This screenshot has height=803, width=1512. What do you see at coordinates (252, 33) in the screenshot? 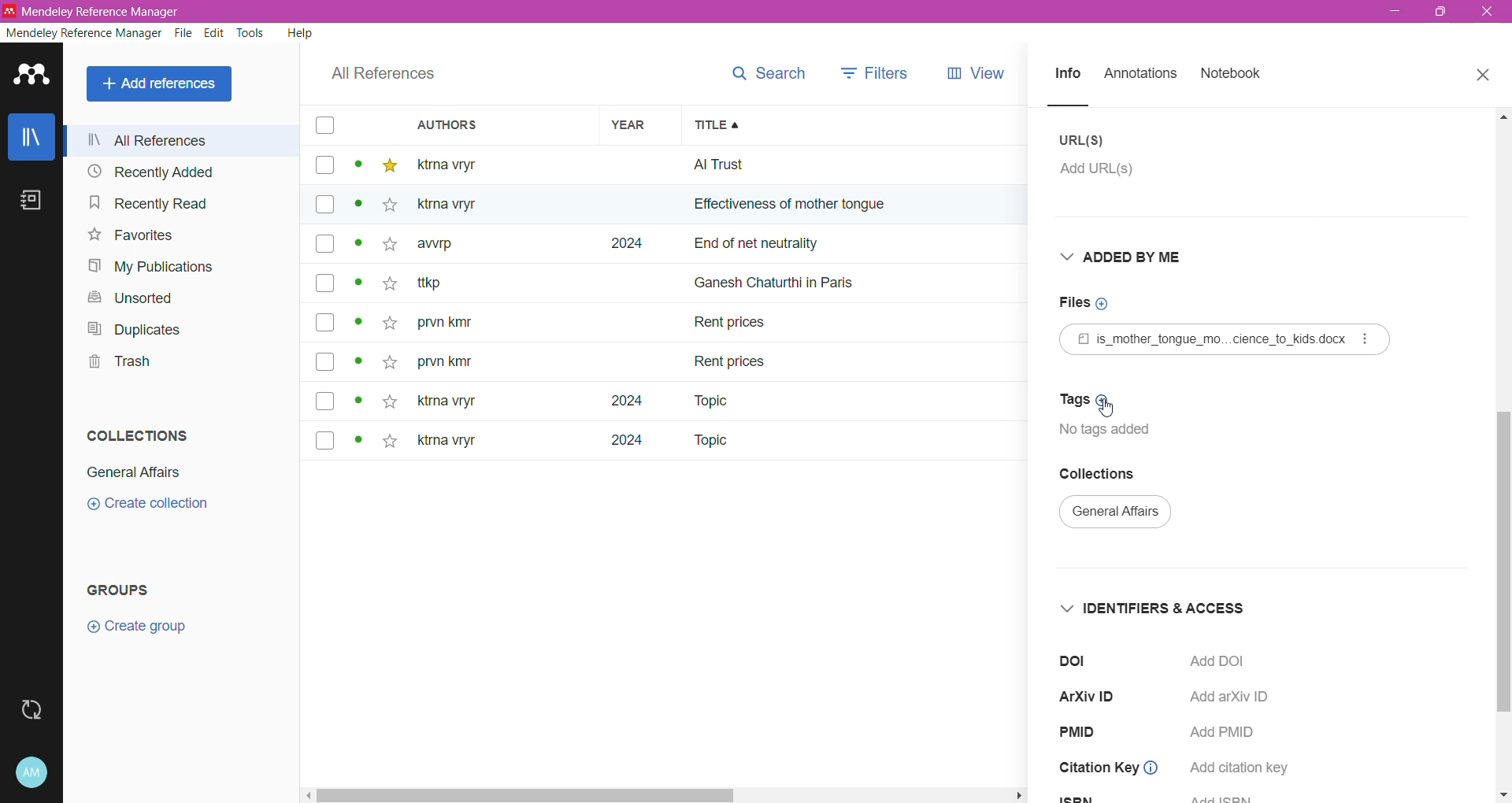
I see `Tools` at bounding box center [252, 33].